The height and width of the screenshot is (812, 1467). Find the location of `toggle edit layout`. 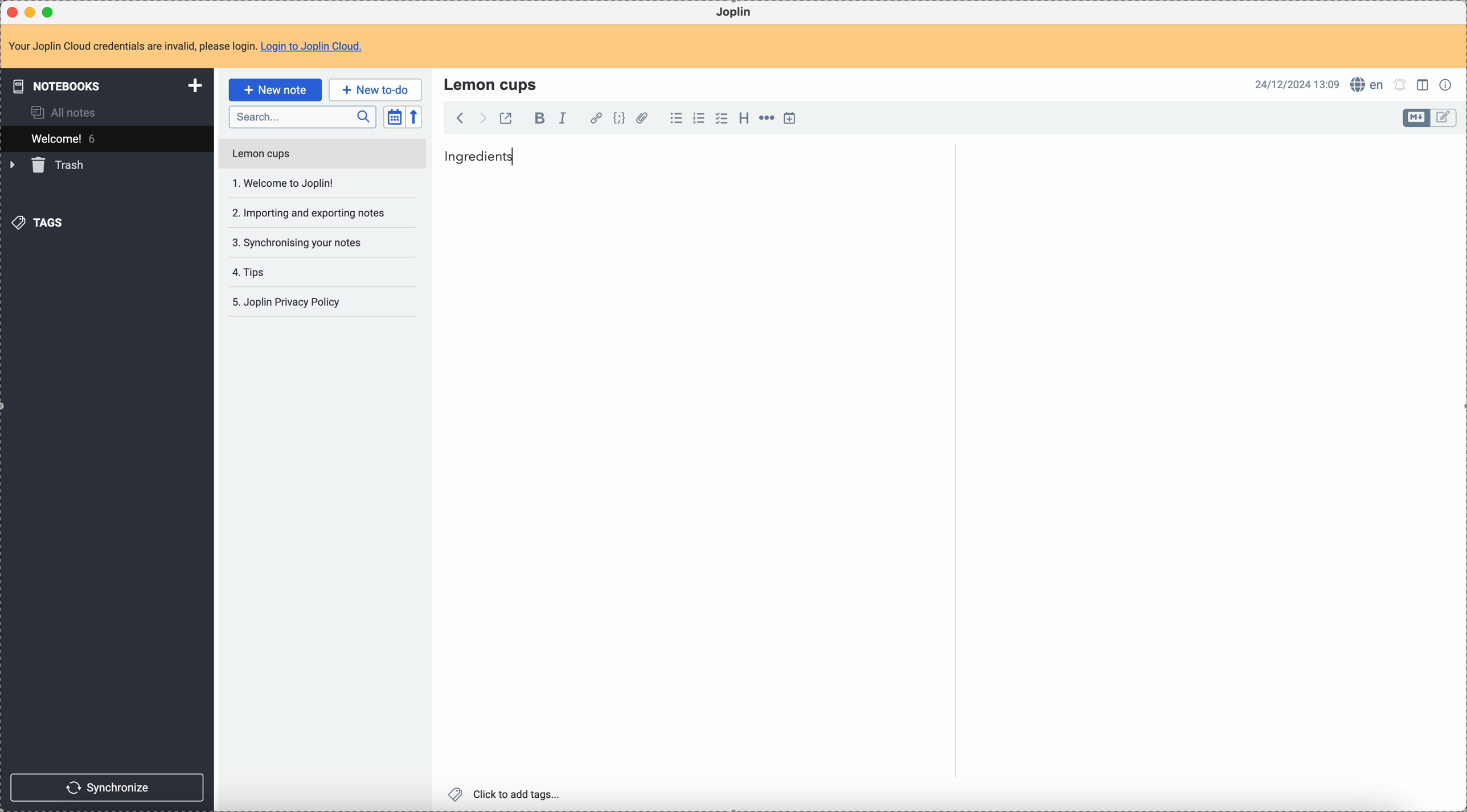

toggle edit layout is located at coordinates (1424, 84).